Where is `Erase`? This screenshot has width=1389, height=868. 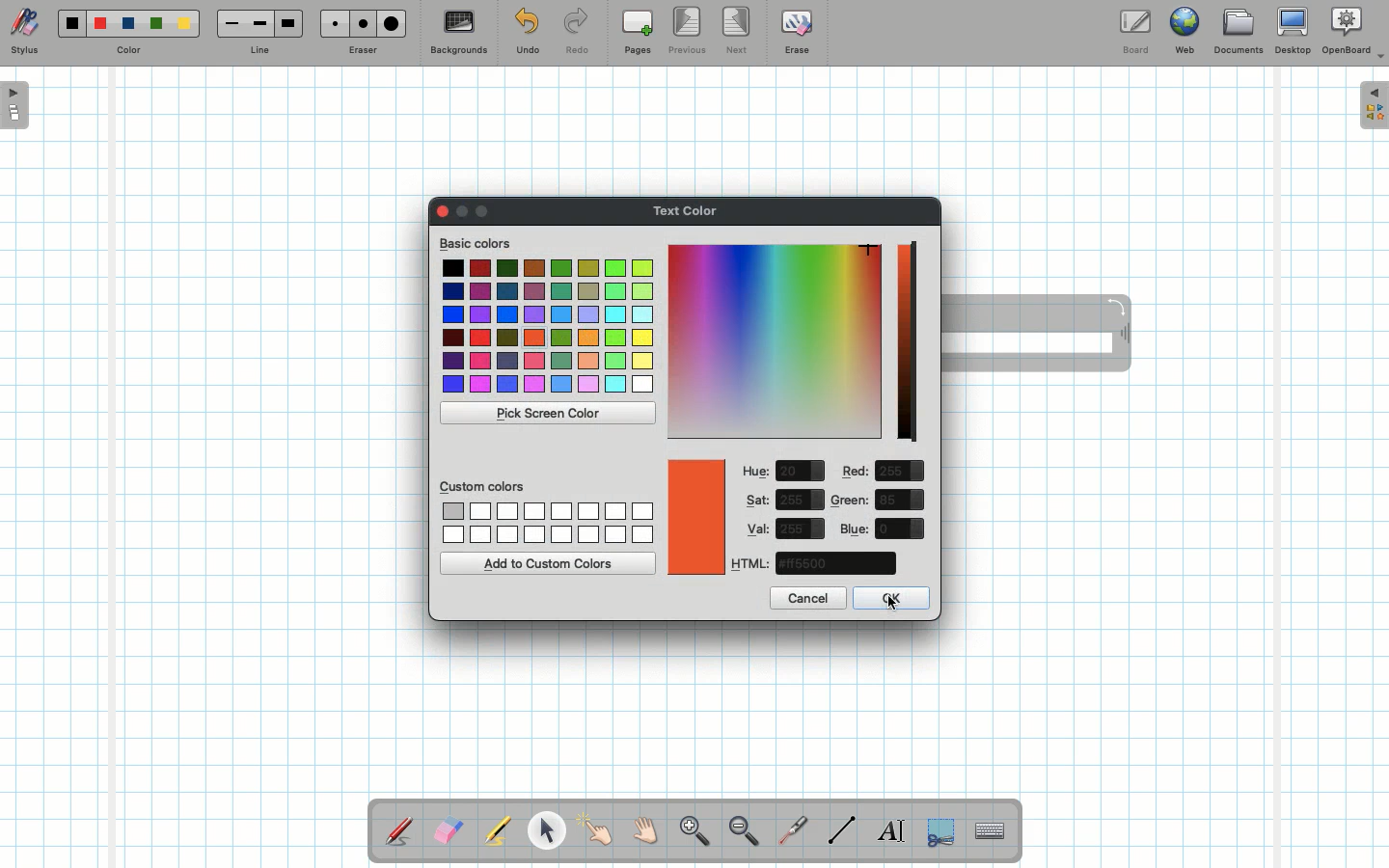 Erase is located at coordinates (796, 31).